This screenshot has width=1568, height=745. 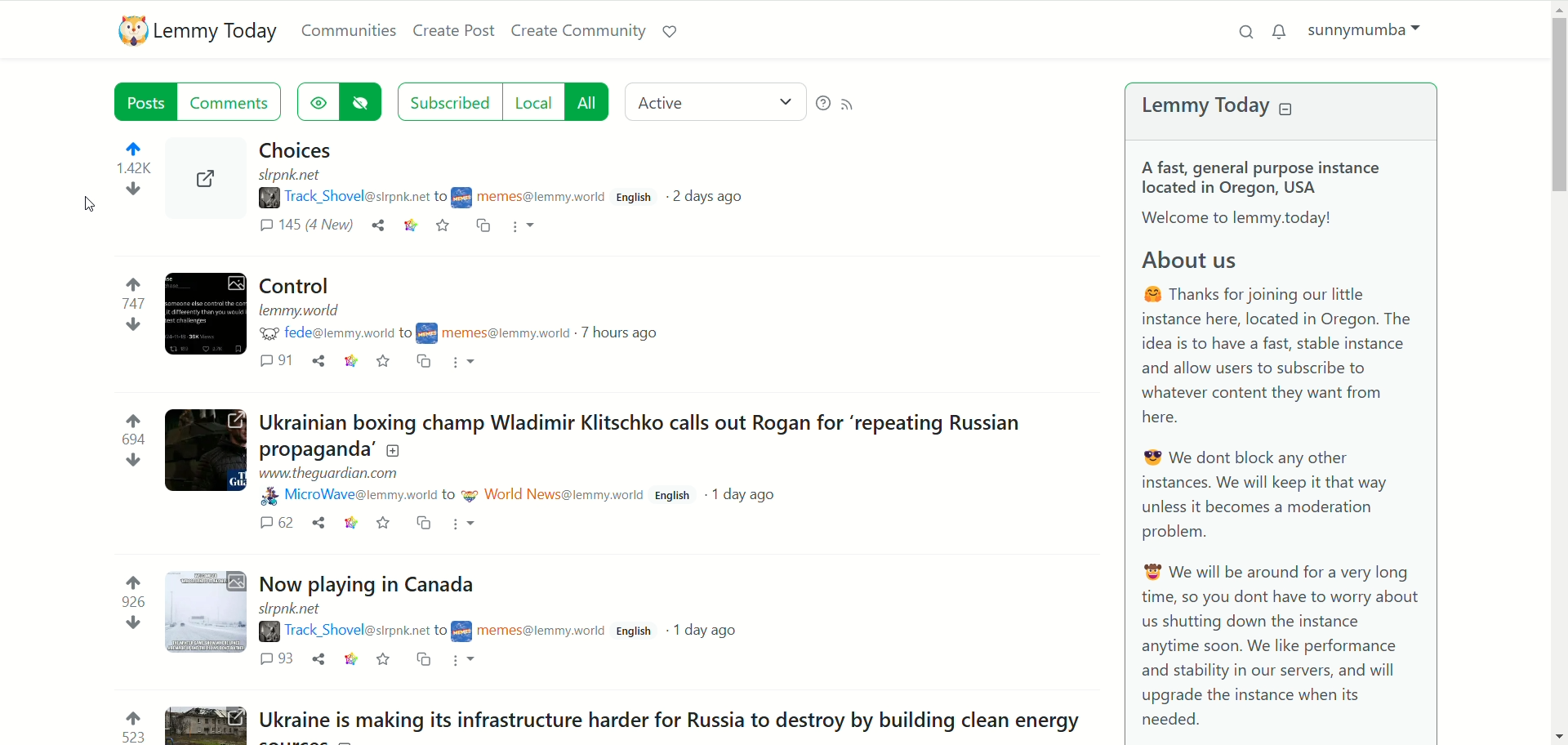 What do you see at coordinates (337, 473) in the screenshot?
I see `URL` at bounding box center [337, 473].